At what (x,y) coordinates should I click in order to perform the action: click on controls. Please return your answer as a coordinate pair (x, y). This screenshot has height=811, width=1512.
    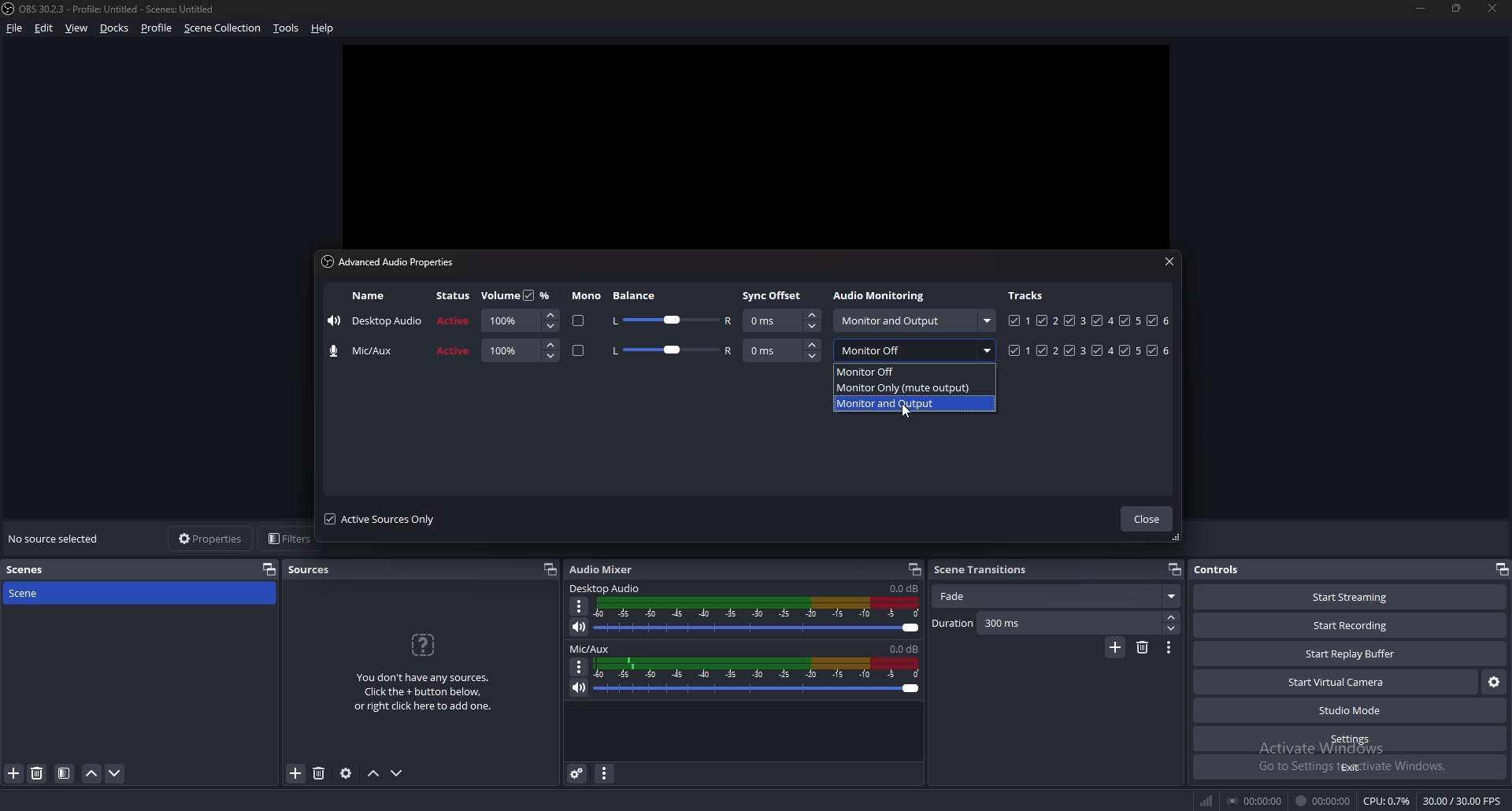
    Looking at the image, I should click on (1221, 568).